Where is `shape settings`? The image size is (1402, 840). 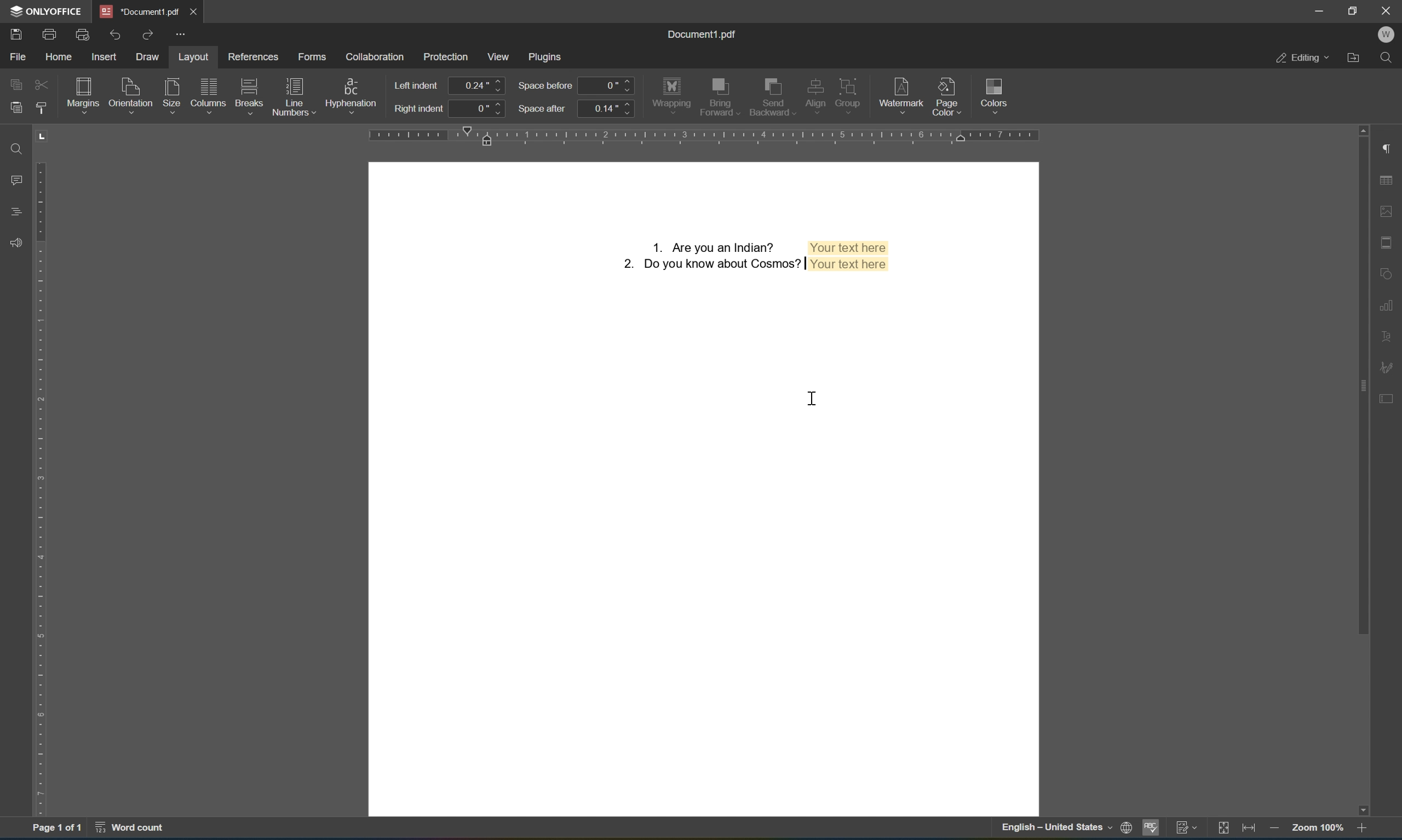 shape settings is located at coordinates (1391, 269).